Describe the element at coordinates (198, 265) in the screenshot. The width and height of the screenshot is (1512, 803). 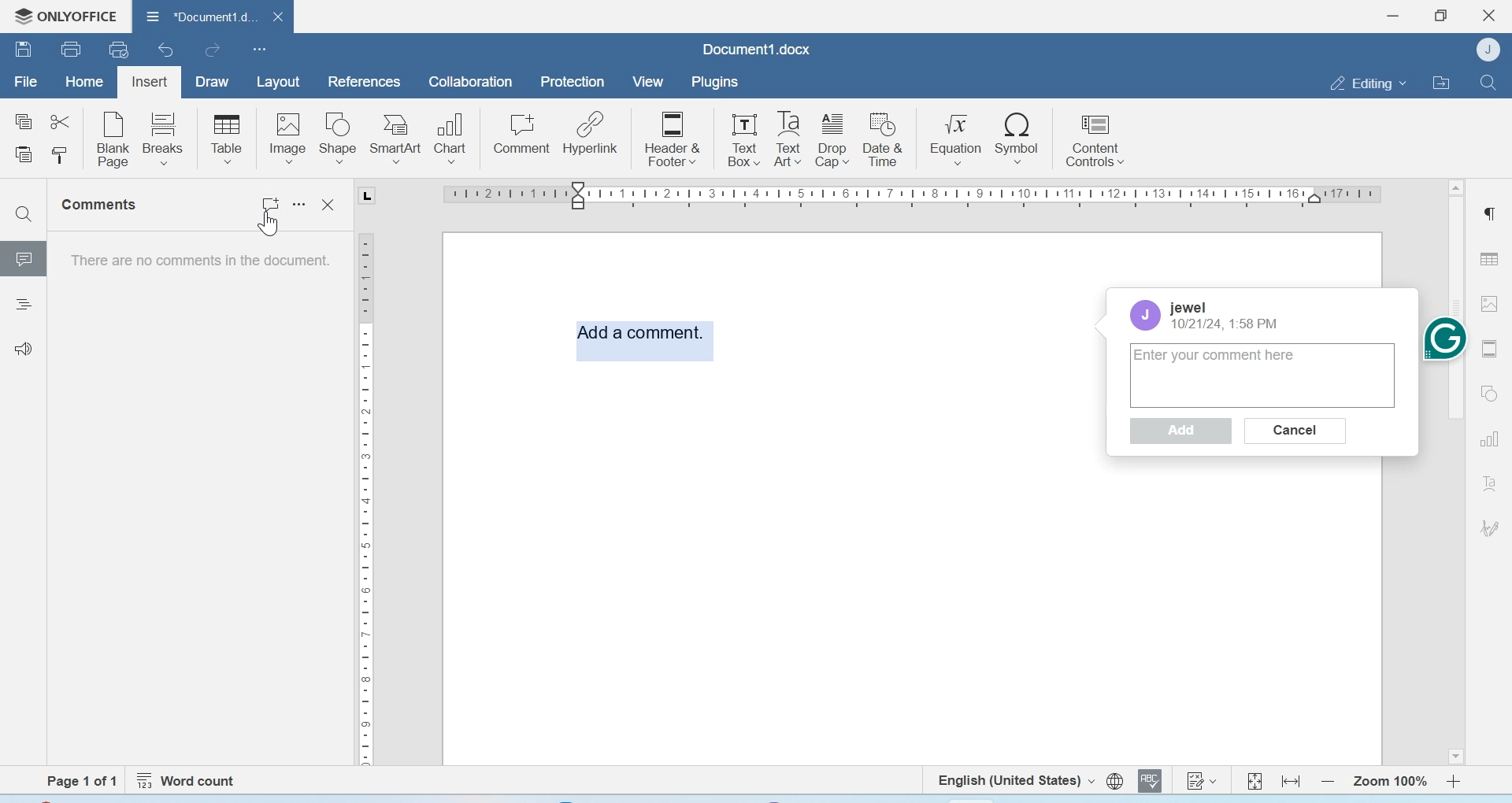
I see `There are no comments in the document.` at that location.